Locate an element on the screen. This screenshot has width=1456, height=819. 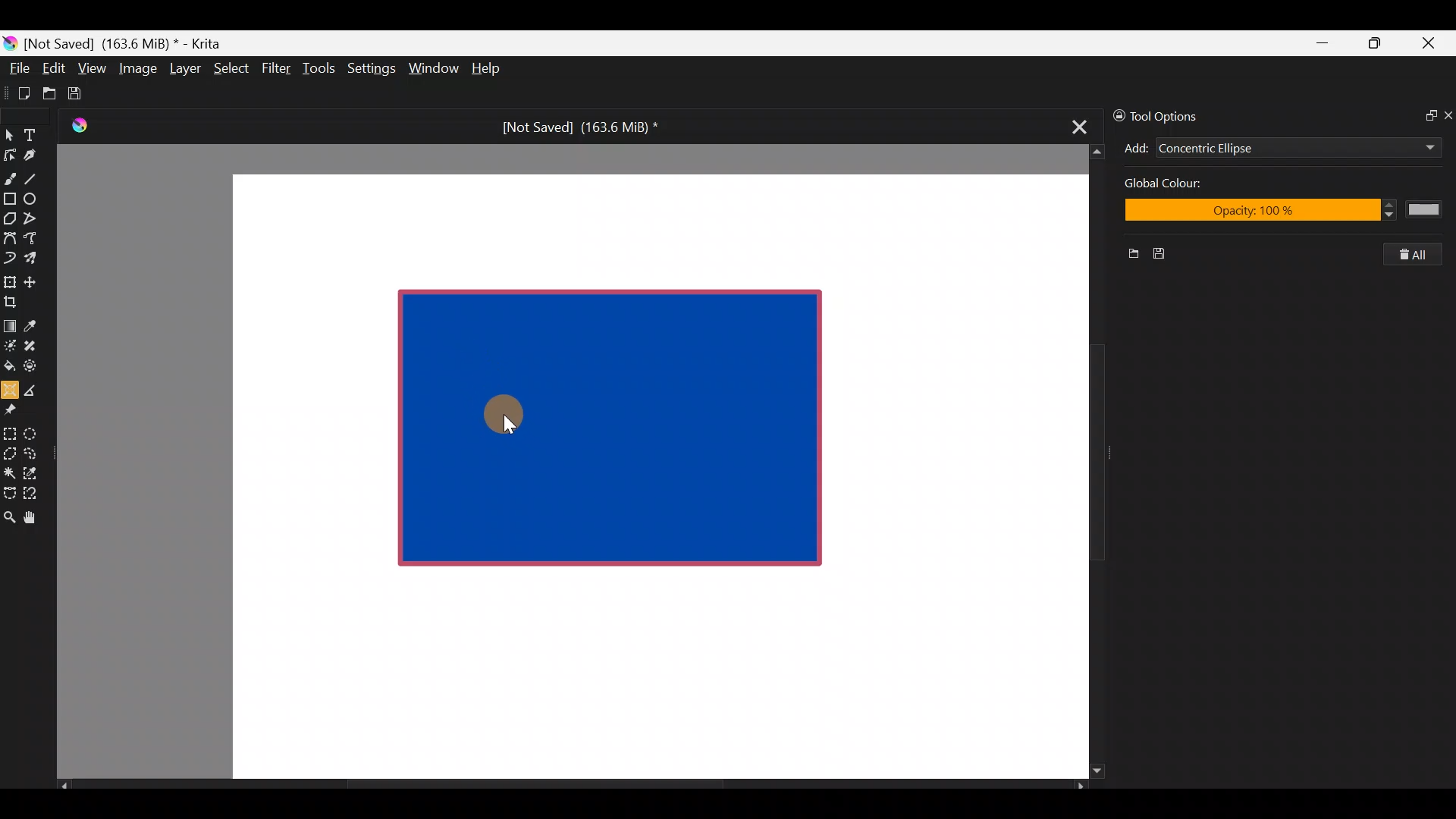
Colourise mask tool is located at coordinates (10, 344).